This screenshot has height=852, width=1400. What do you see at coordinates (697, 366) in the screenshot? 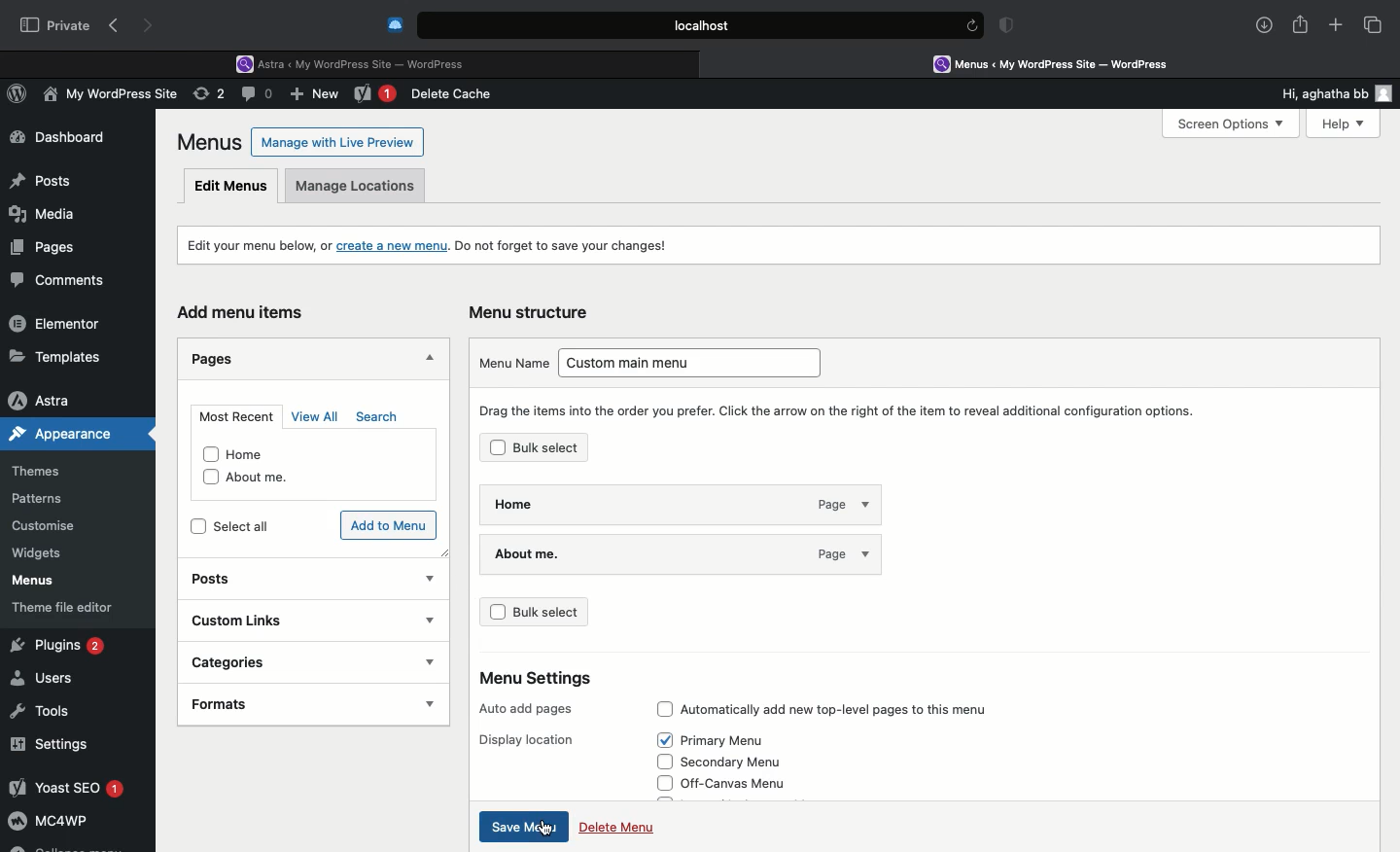
I see `Custom main menu` at bounding box center [697, 366].